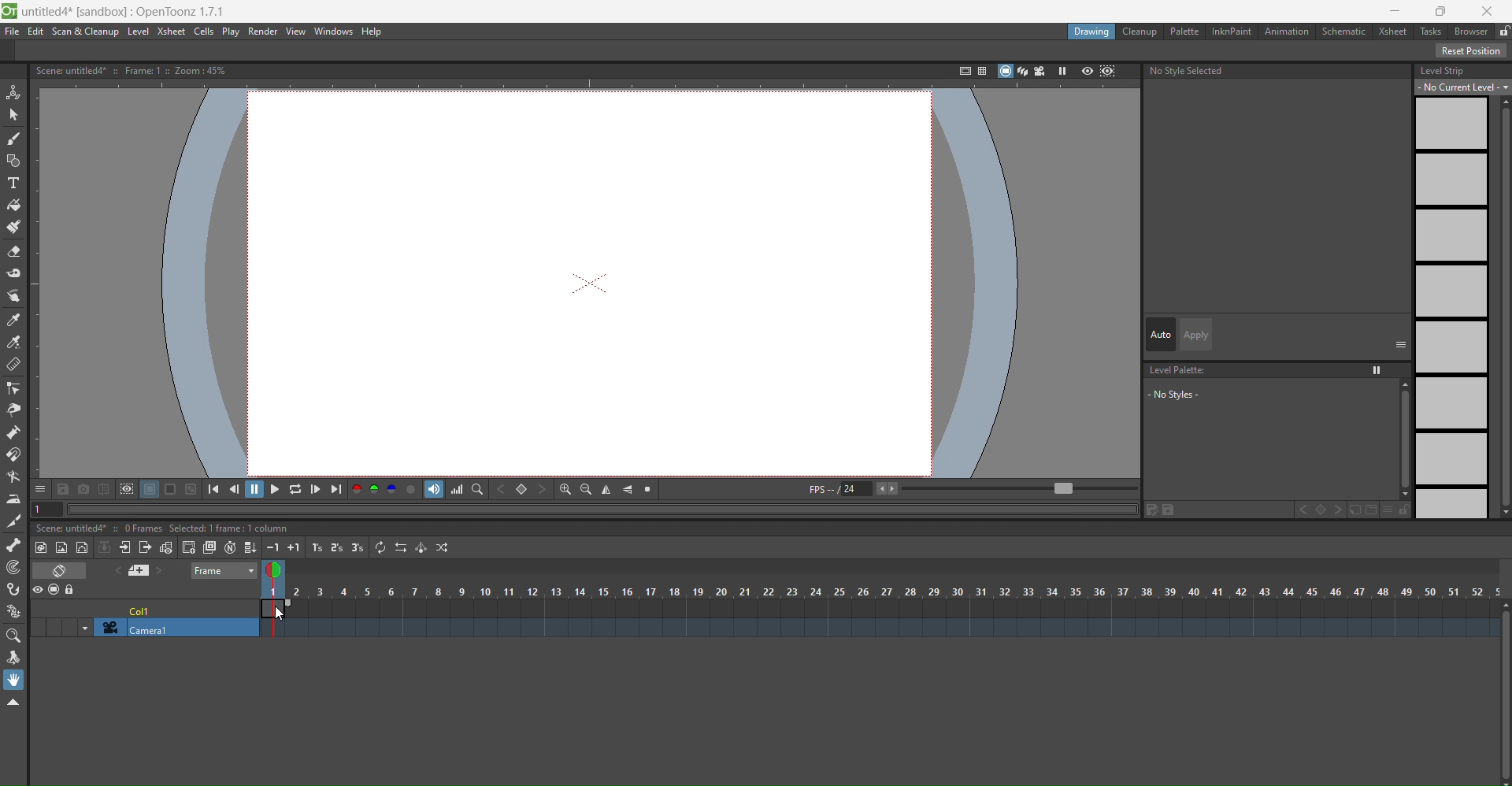  I want to click on scroll bar, so click(1400, 439).